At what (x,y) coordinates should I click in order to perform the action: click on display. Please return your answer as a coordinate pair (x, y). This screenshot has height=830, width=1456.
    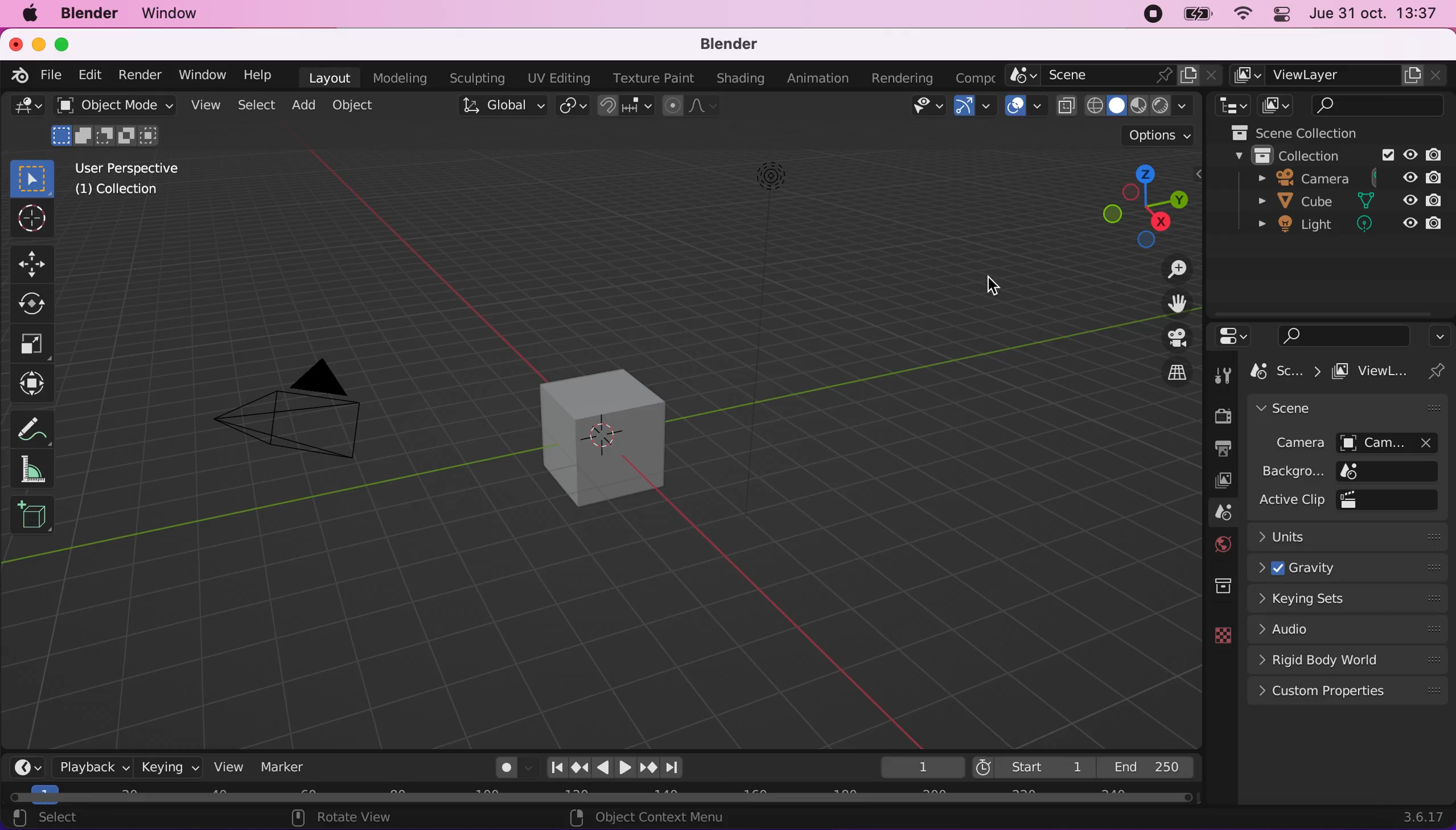
    Looking at the image, I should click on (1213, 481).